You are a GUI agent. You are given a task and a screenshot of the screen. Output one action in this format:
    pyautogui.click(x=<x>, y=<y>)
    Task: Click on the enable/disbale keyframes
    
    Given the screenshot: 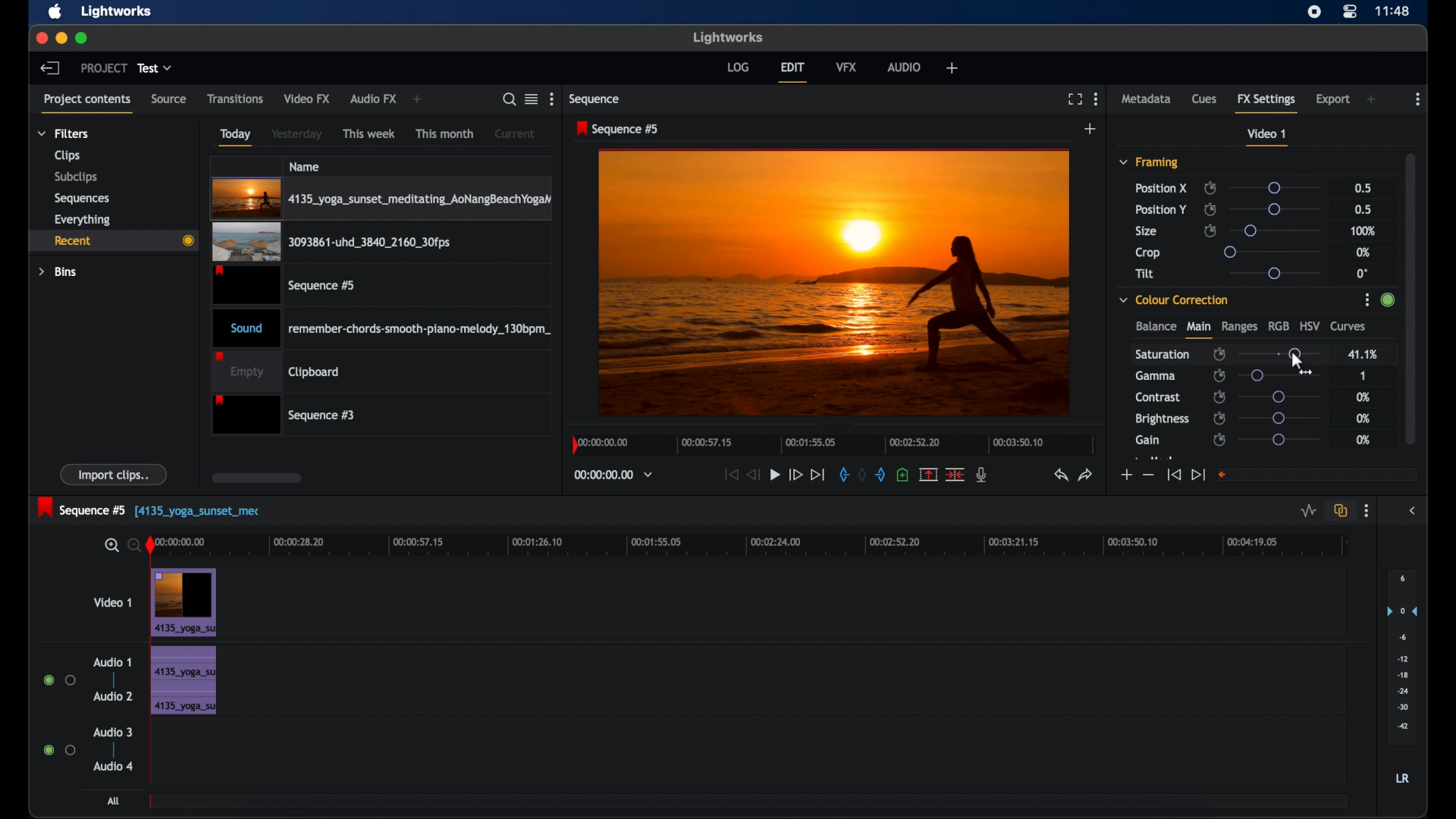 What is the action you would take?
    pyautogui.click(x=1220, y=353)
    